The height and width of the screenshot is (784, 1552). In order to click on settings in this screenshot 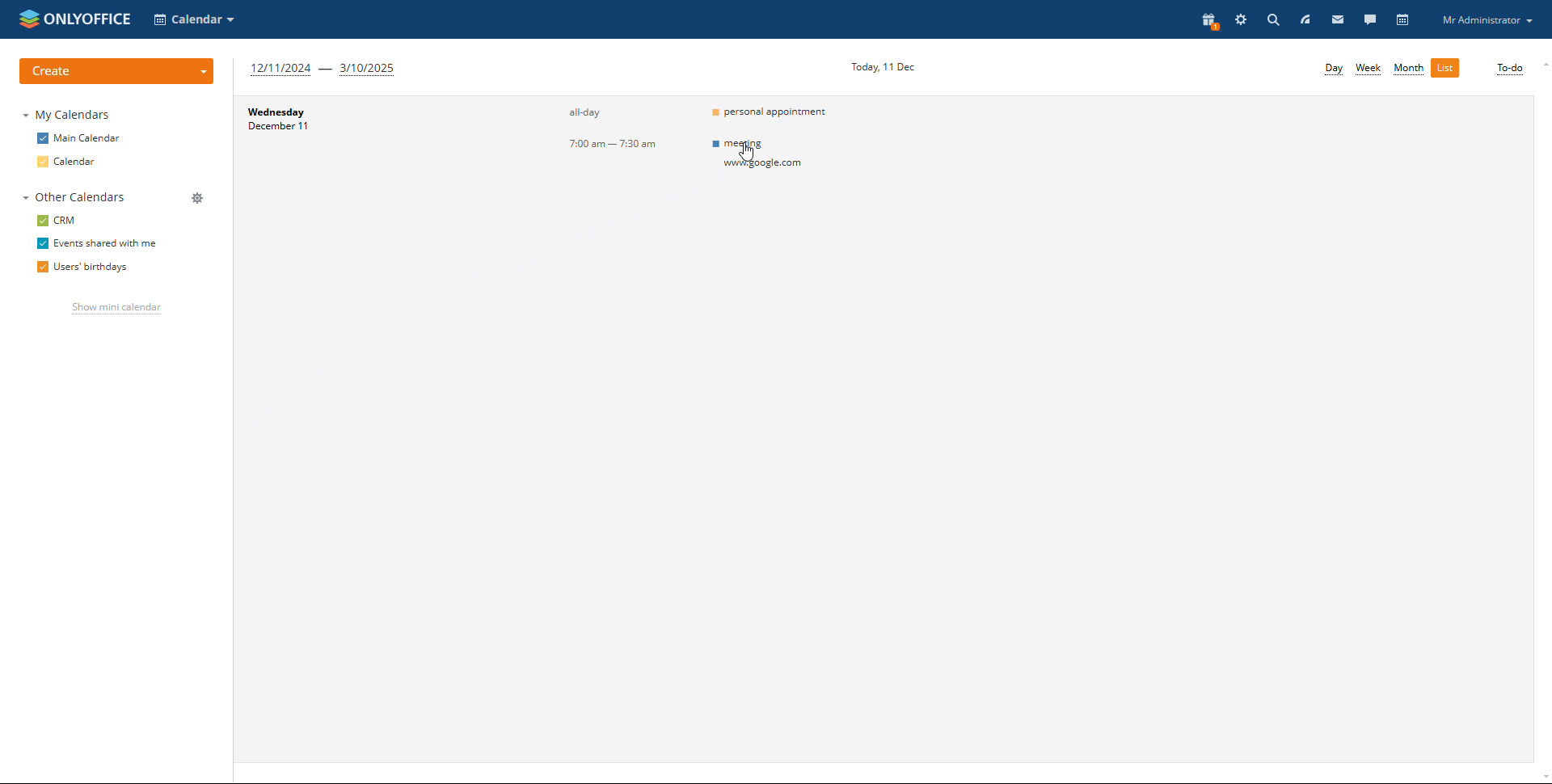, I will do `click(1242, 19)`.